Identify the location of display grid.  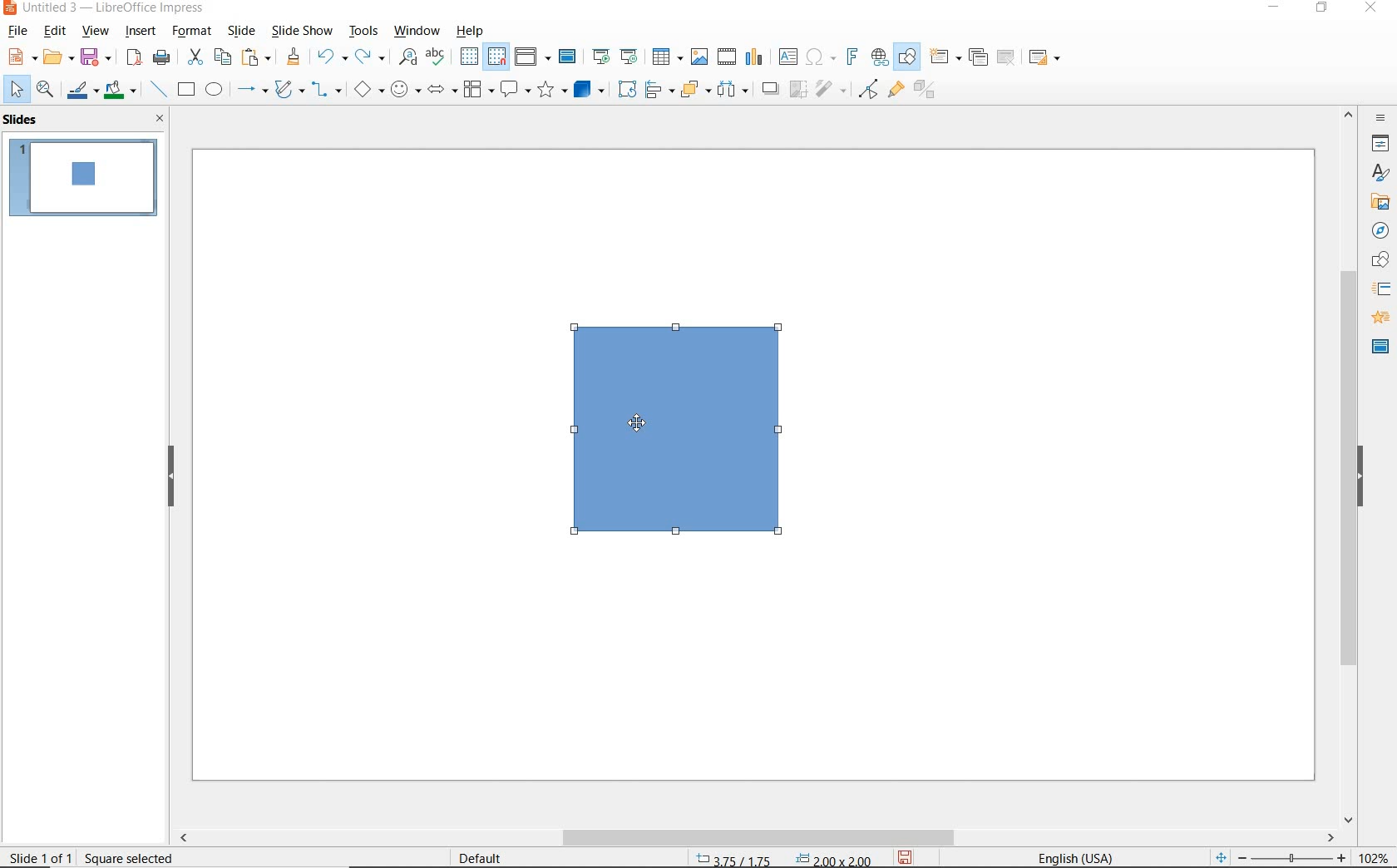
(469, 57).